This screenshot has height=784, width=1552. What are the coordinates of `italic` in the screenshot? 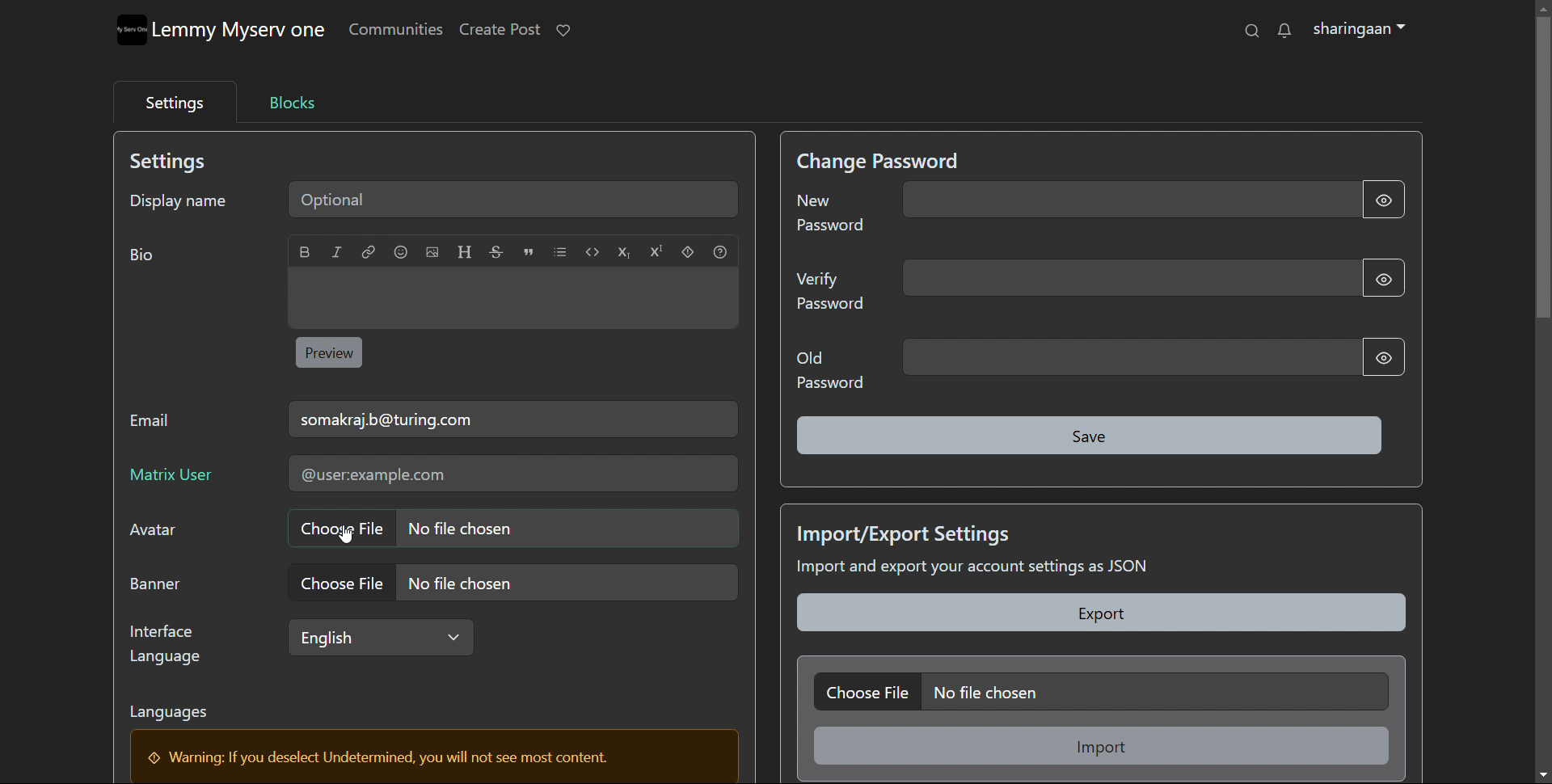 It's located at (335, 251).